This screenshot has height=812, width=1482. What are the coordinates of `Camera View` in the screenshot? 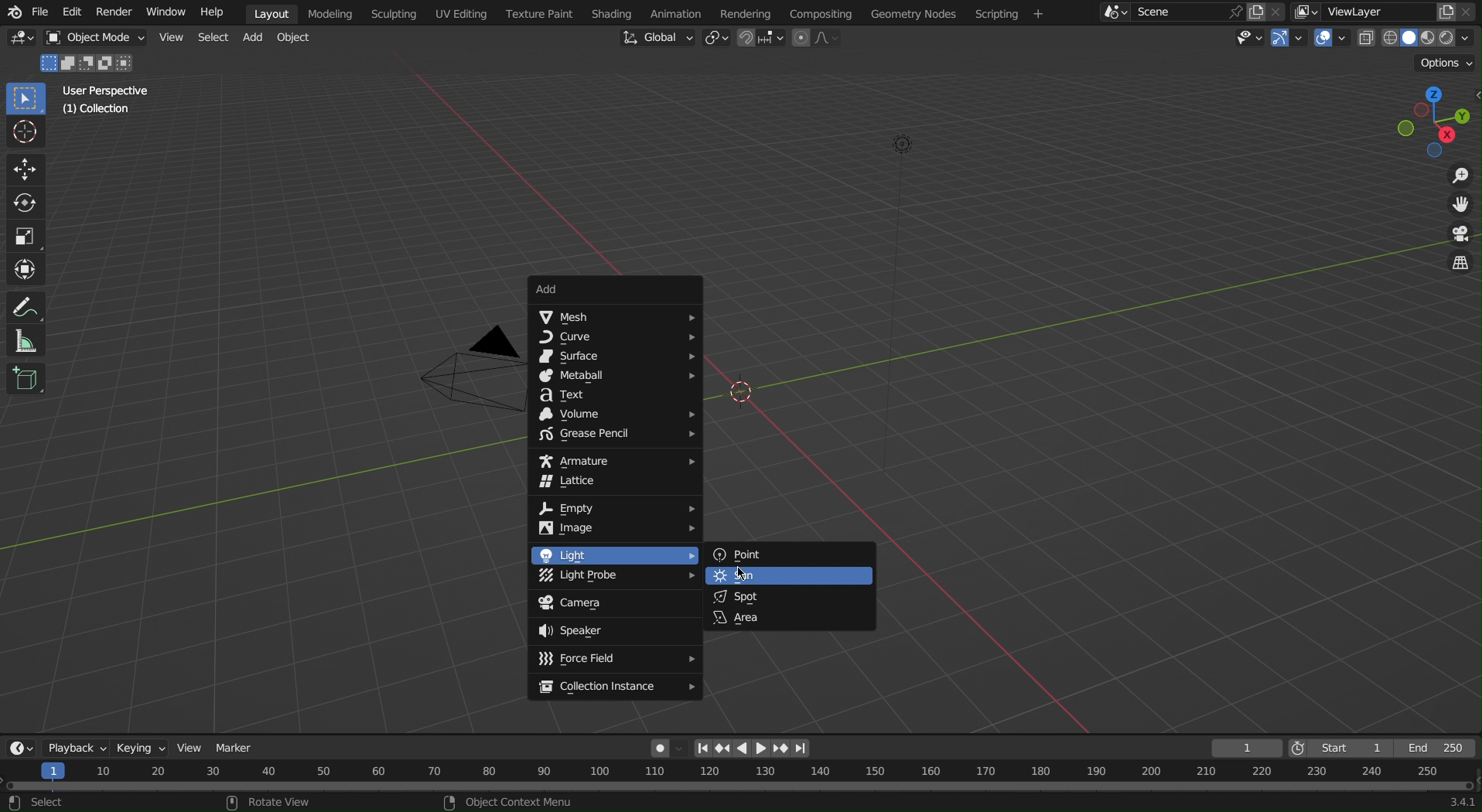 It's located at (1457, 235).